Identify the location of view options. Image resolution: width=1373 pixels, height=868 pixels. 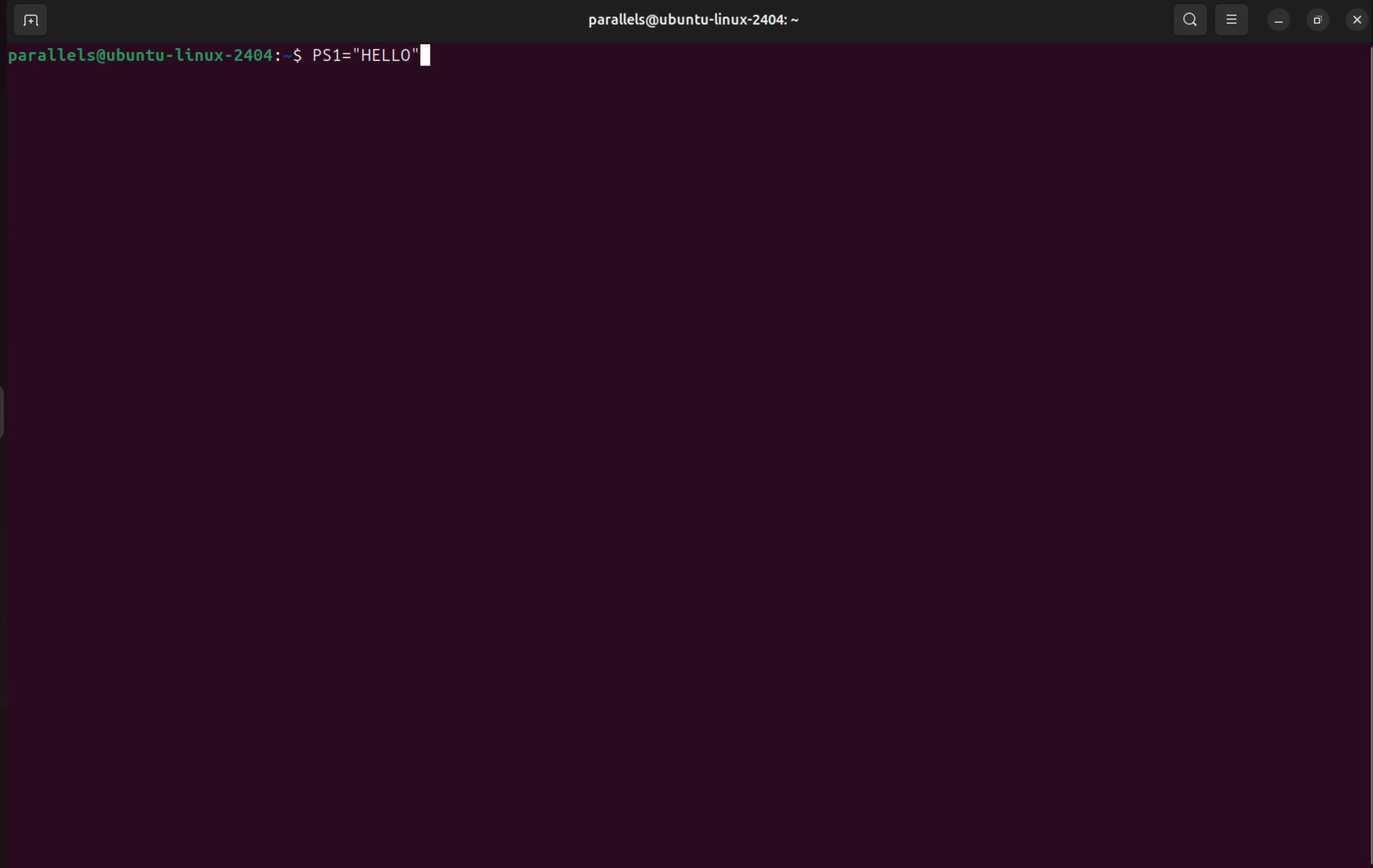
(1233, 19).